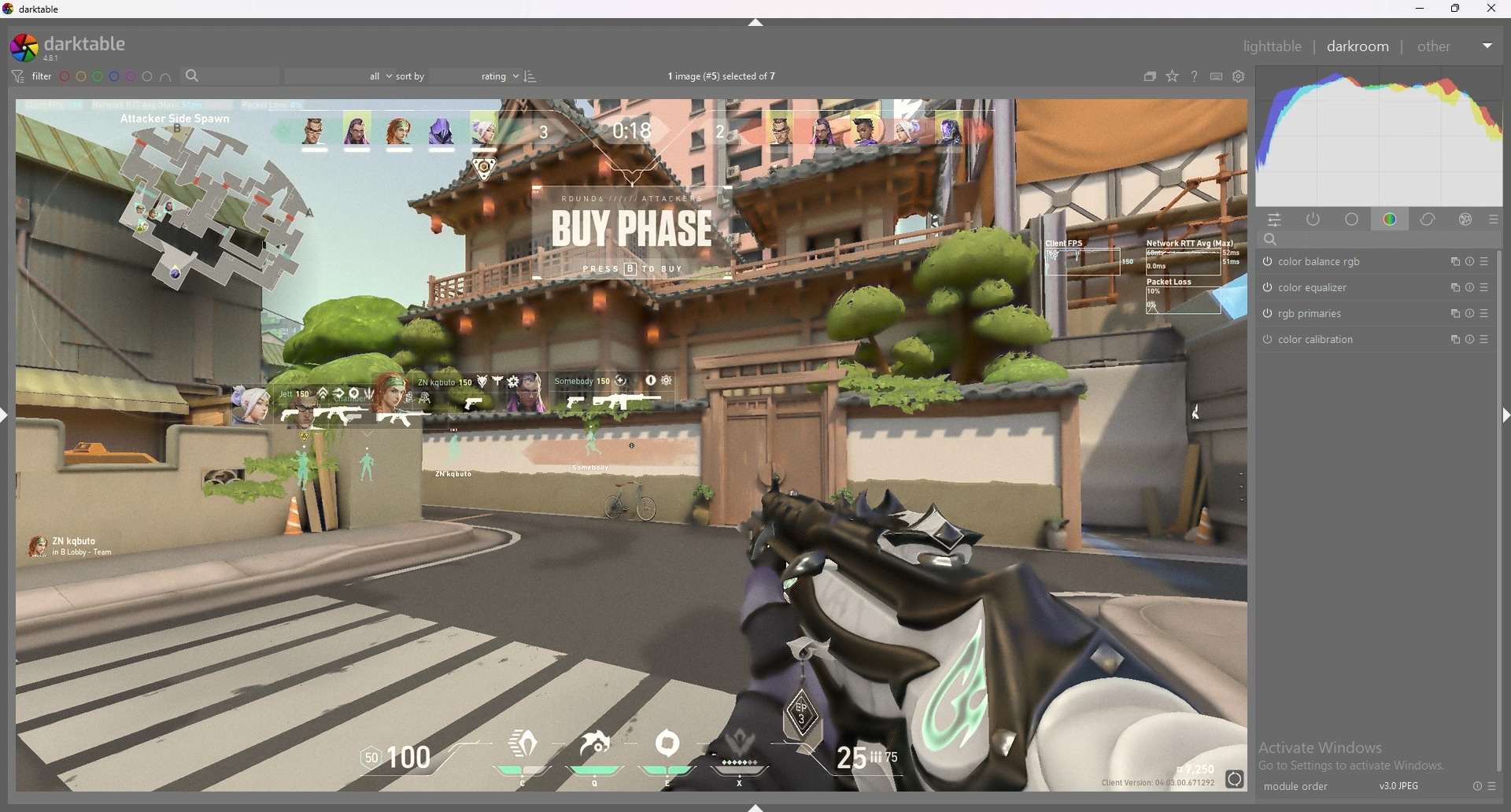 This screenshot has height=812, width=1511. Describe the element at coordinates (758, 22) in the screenshot. I see `hide` at that location.